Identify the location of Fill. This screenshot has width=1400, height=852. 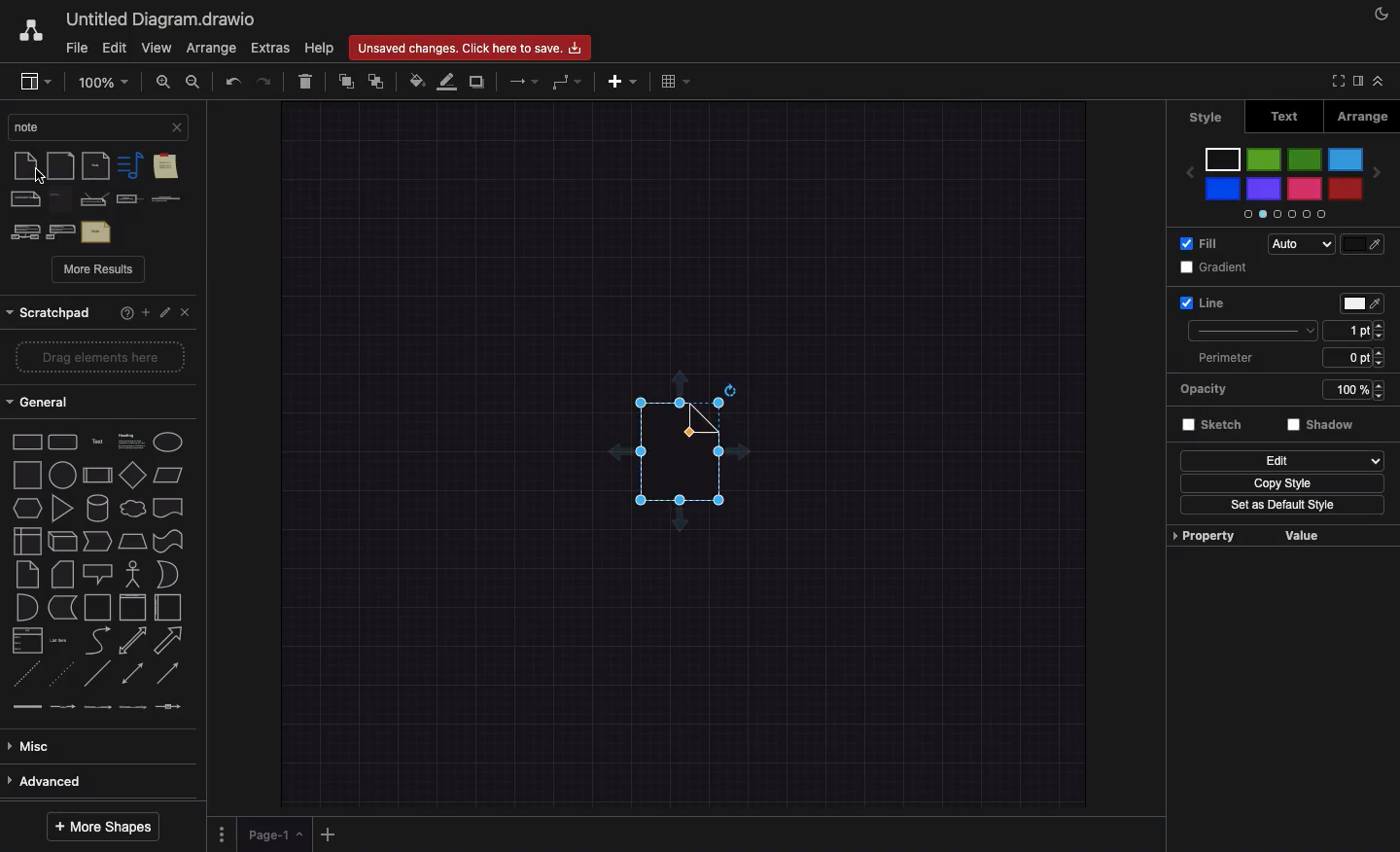
(1200, 243).